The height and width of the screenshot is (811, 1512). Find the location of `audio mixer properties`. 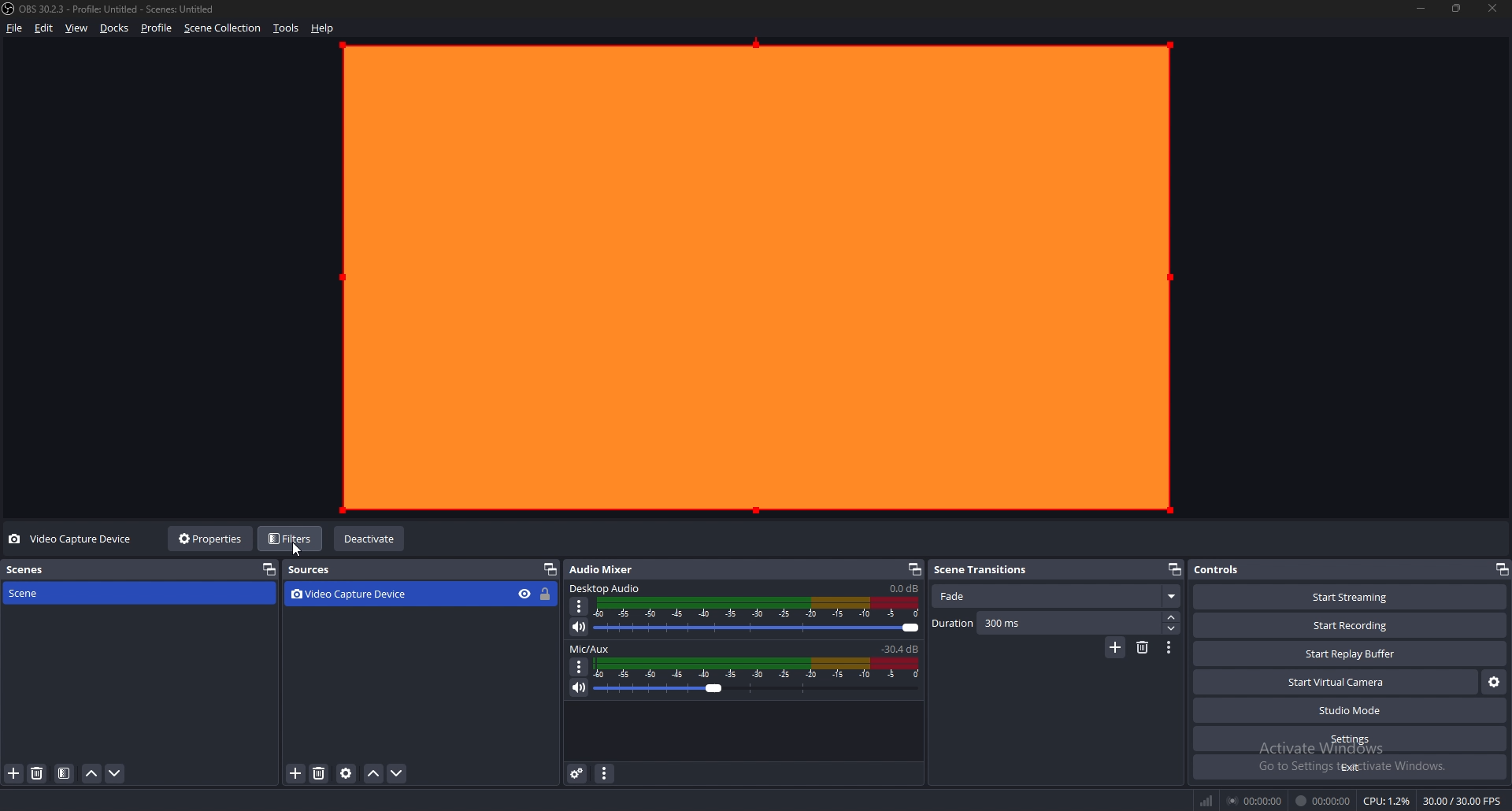

audio mixer properties is located at coordinates (603, 773).